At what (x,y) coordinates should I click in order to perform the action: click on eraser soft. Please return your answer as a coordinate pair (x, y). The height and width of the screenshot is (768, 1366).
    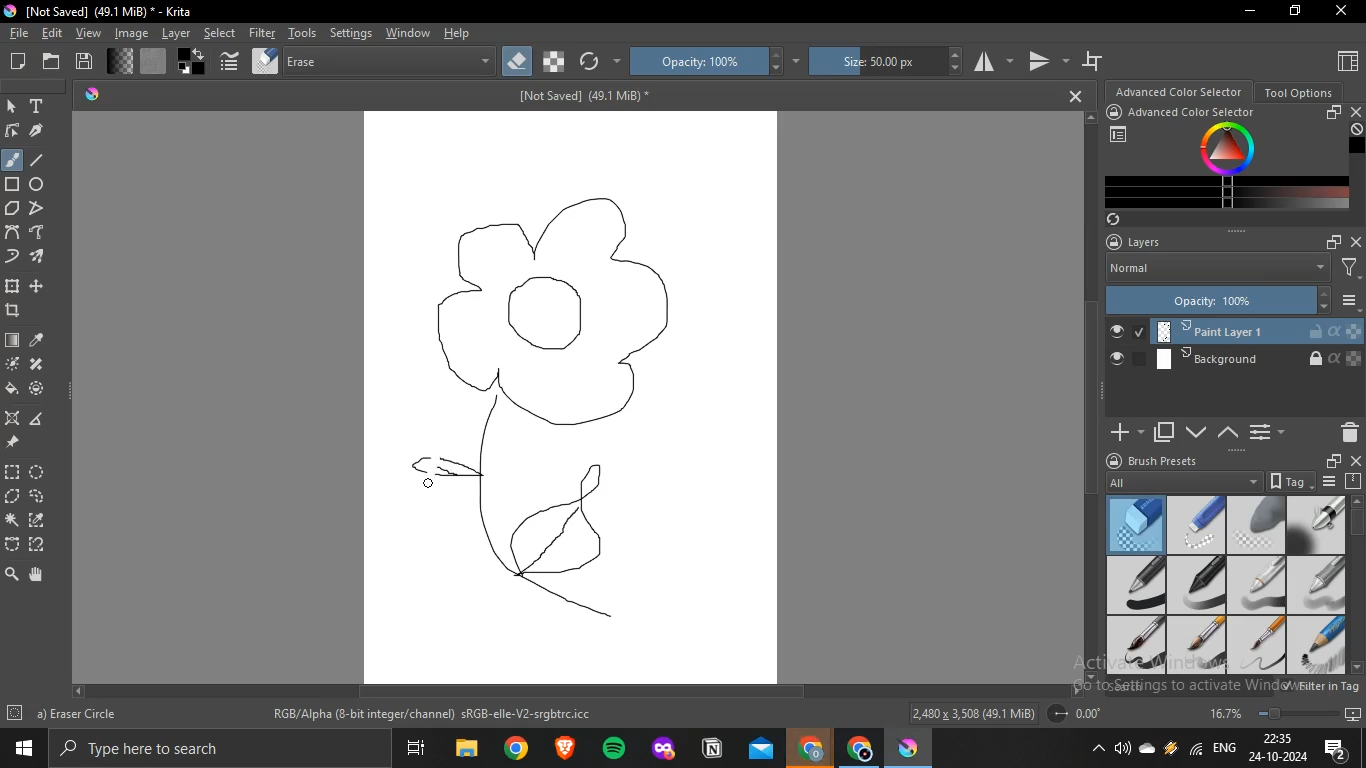
    Looking at the image, I should click on (1256, 524).